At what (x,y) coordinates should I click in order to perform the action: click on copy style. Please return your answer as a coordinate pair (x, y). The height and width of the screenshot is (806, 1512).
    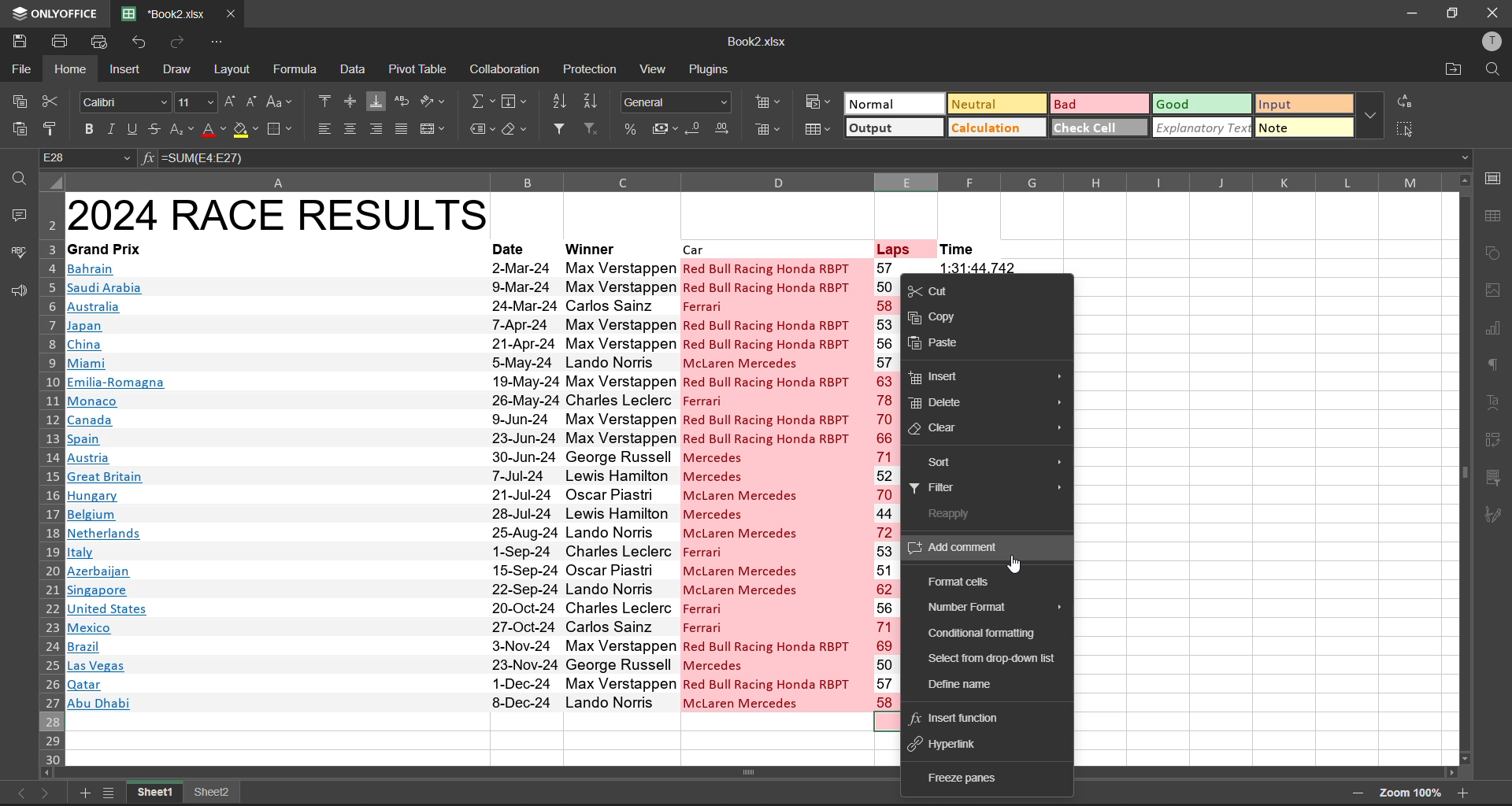
    Looking at the image, I should click on (51, 129).